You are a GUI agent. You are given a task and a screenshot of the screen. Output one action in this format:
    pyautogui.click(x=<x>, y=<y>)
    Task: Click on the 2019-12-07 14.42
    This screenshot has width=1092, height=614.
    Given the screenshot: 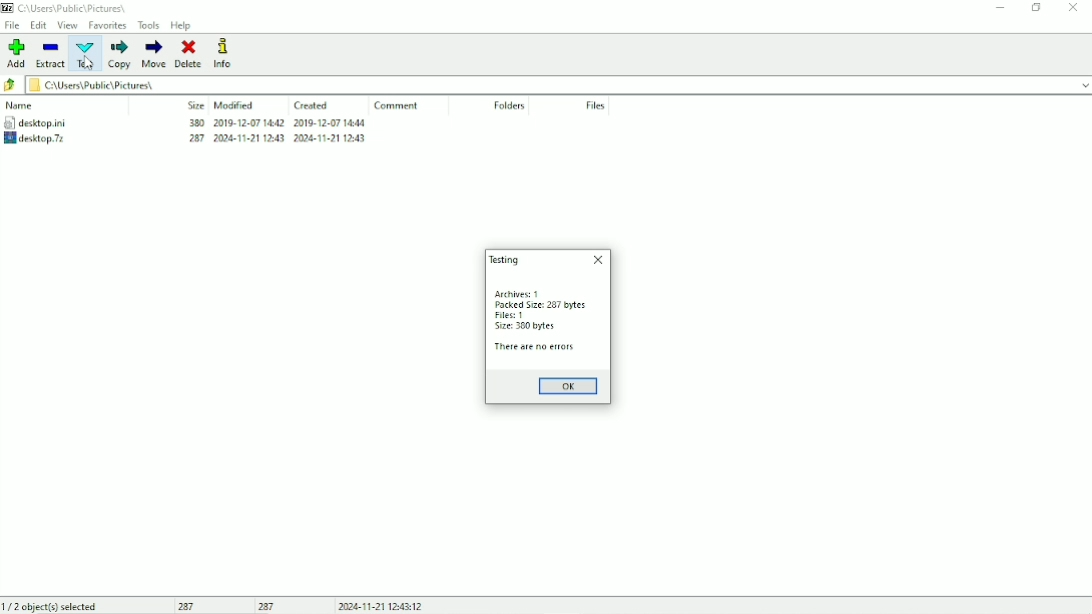 What is the action you would take?
    pyautogui.click(x=252, y=122)
    